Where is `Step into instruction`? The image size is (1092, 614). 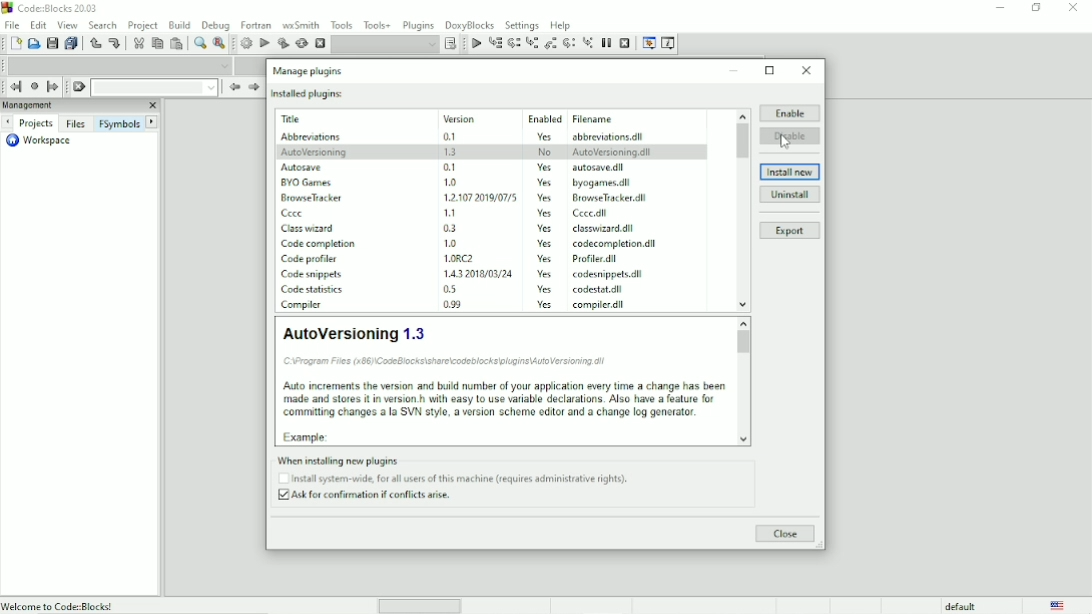 Step into instruction is located at coordinates (588, 42).